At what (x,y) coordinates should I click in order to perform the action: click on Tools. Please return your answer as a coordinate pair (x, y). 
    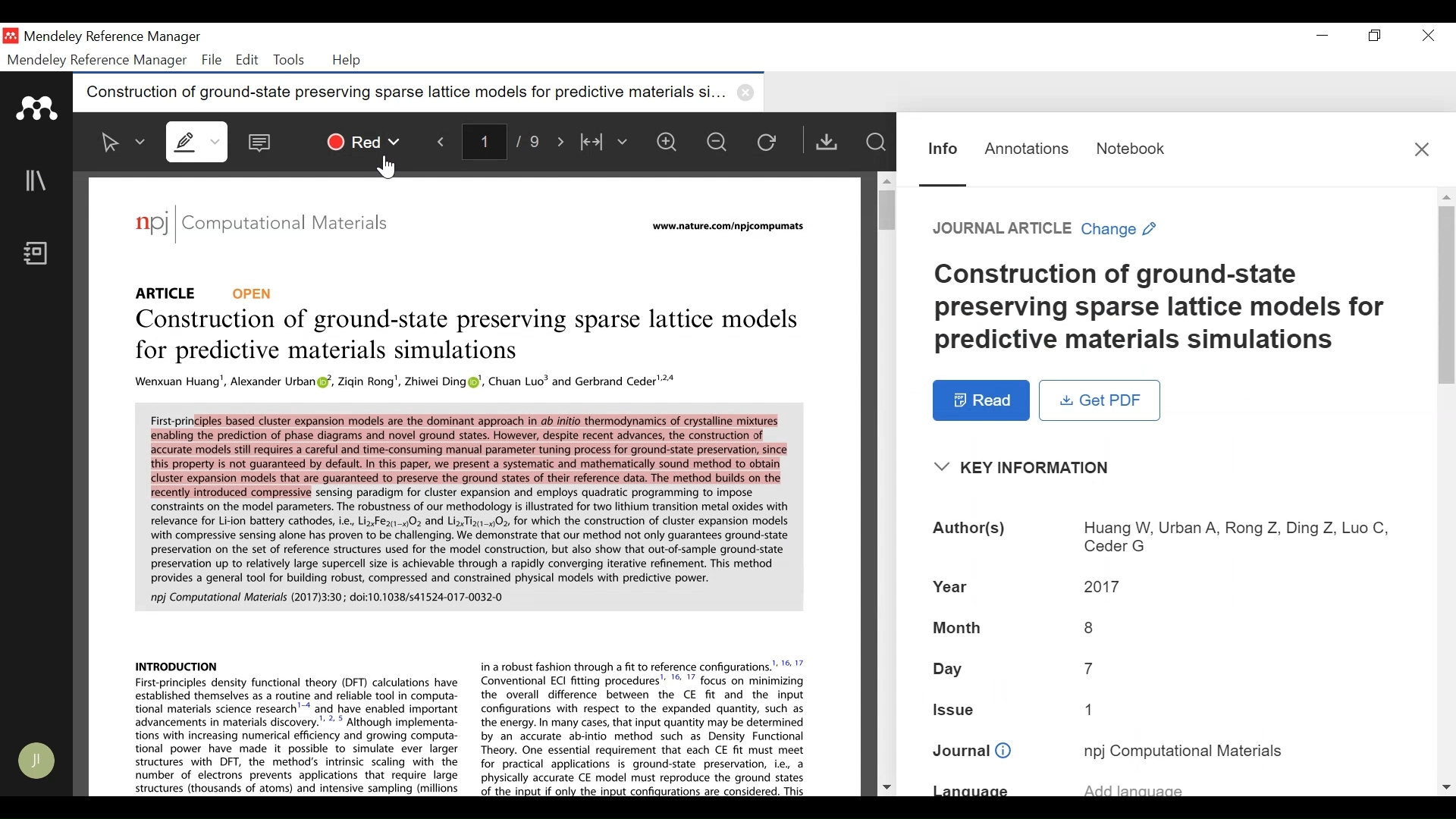
    Looking at the image, I should click on (288, 61).